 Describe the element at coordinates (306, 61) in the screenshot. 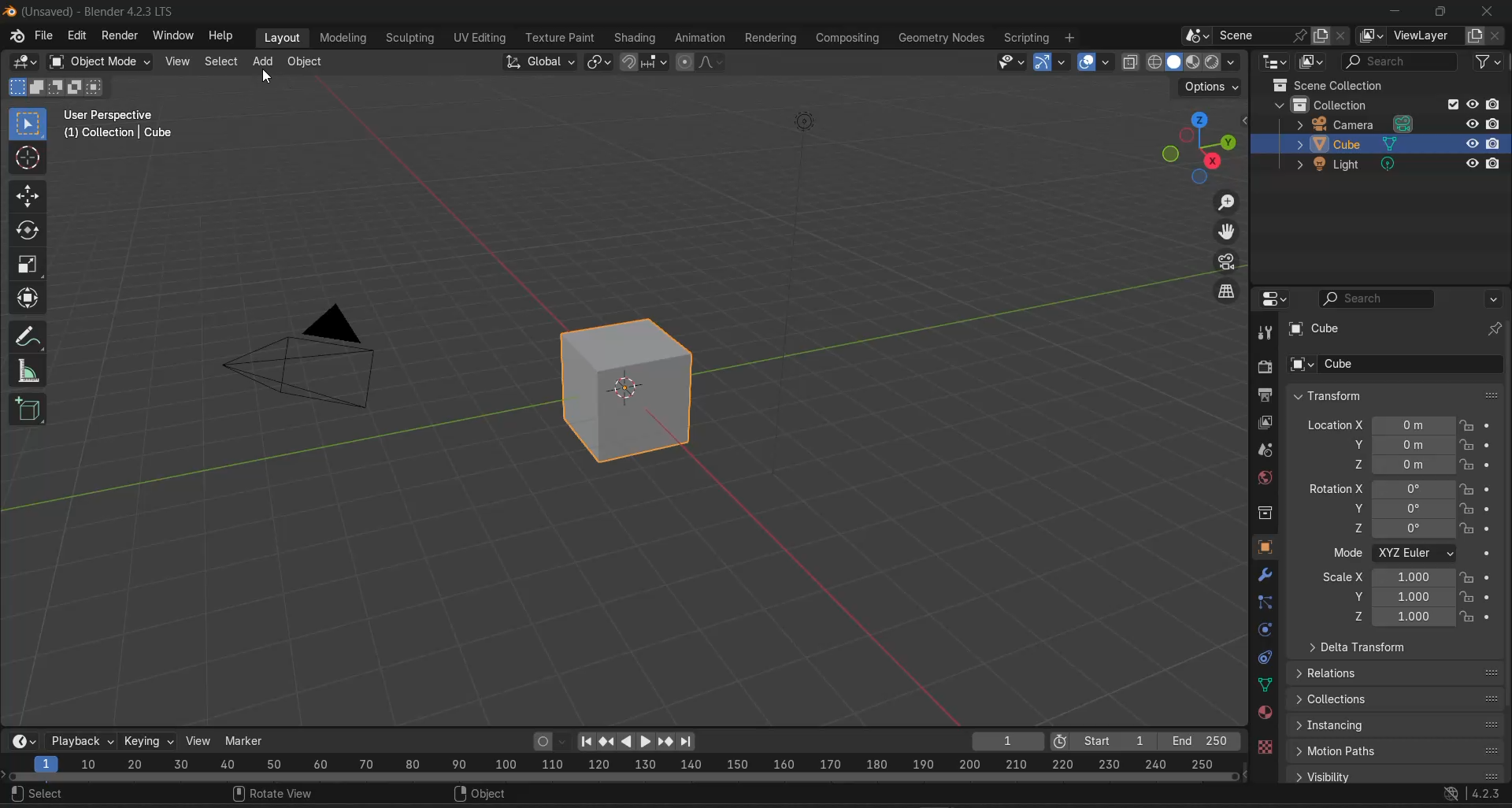

I see `object` at that location.